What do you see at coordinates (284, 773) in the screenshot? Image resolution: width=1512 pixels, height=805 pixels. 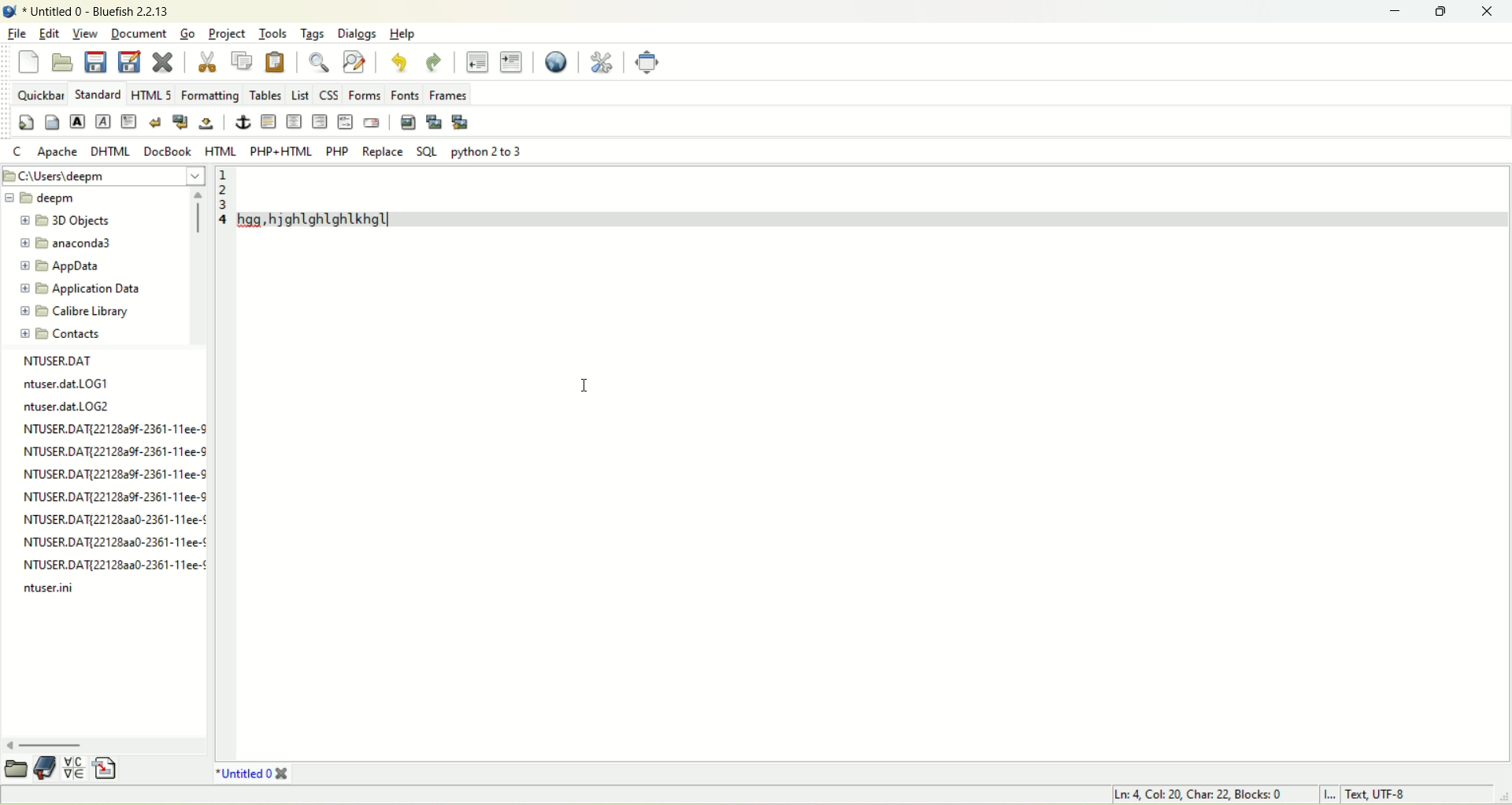 I see `close` at bounding box center [284, 773].